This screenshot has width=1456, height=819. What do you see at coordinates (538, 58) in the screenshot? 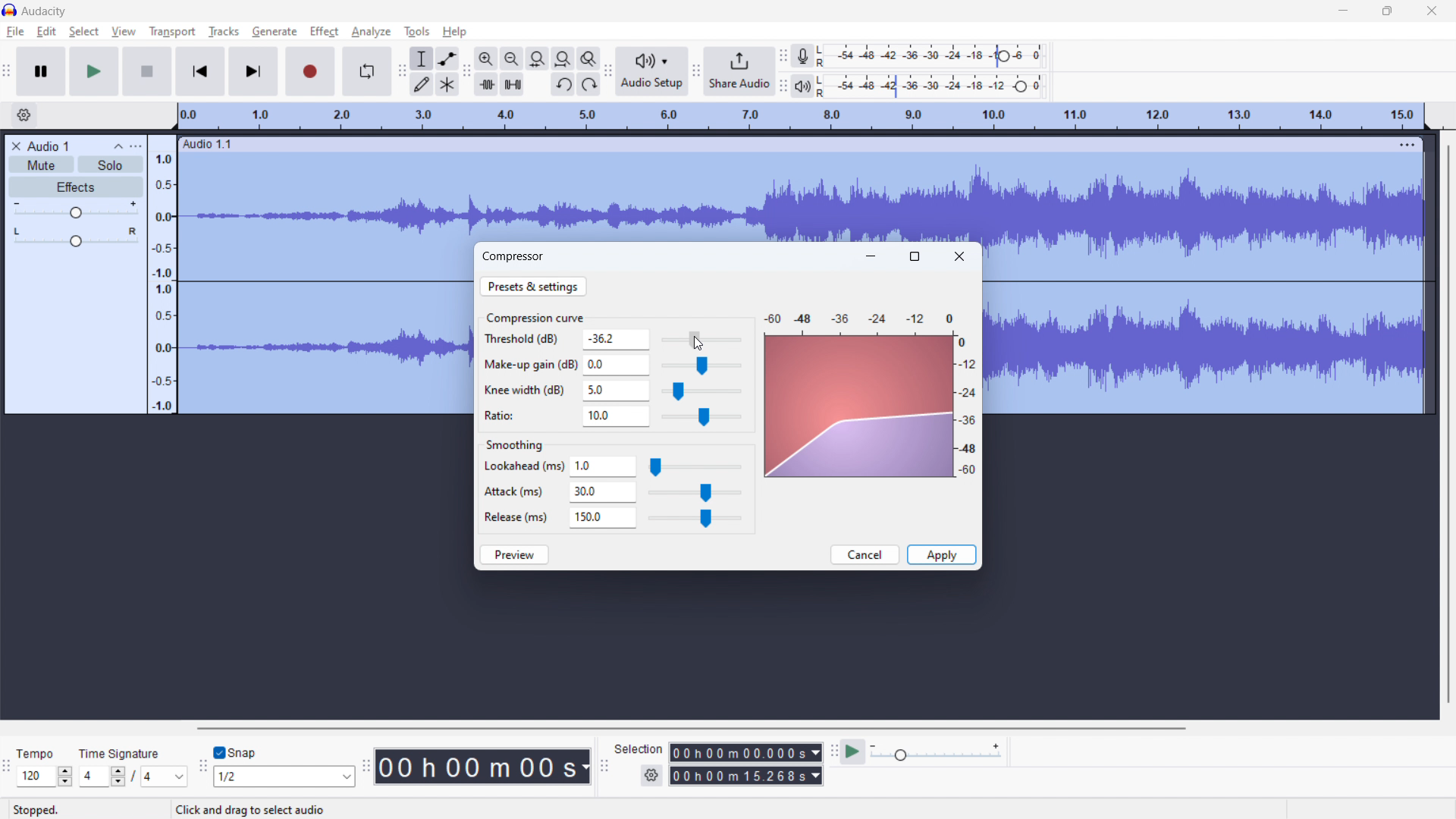
I see `fit selection to width` at bounding box center [538, 58].